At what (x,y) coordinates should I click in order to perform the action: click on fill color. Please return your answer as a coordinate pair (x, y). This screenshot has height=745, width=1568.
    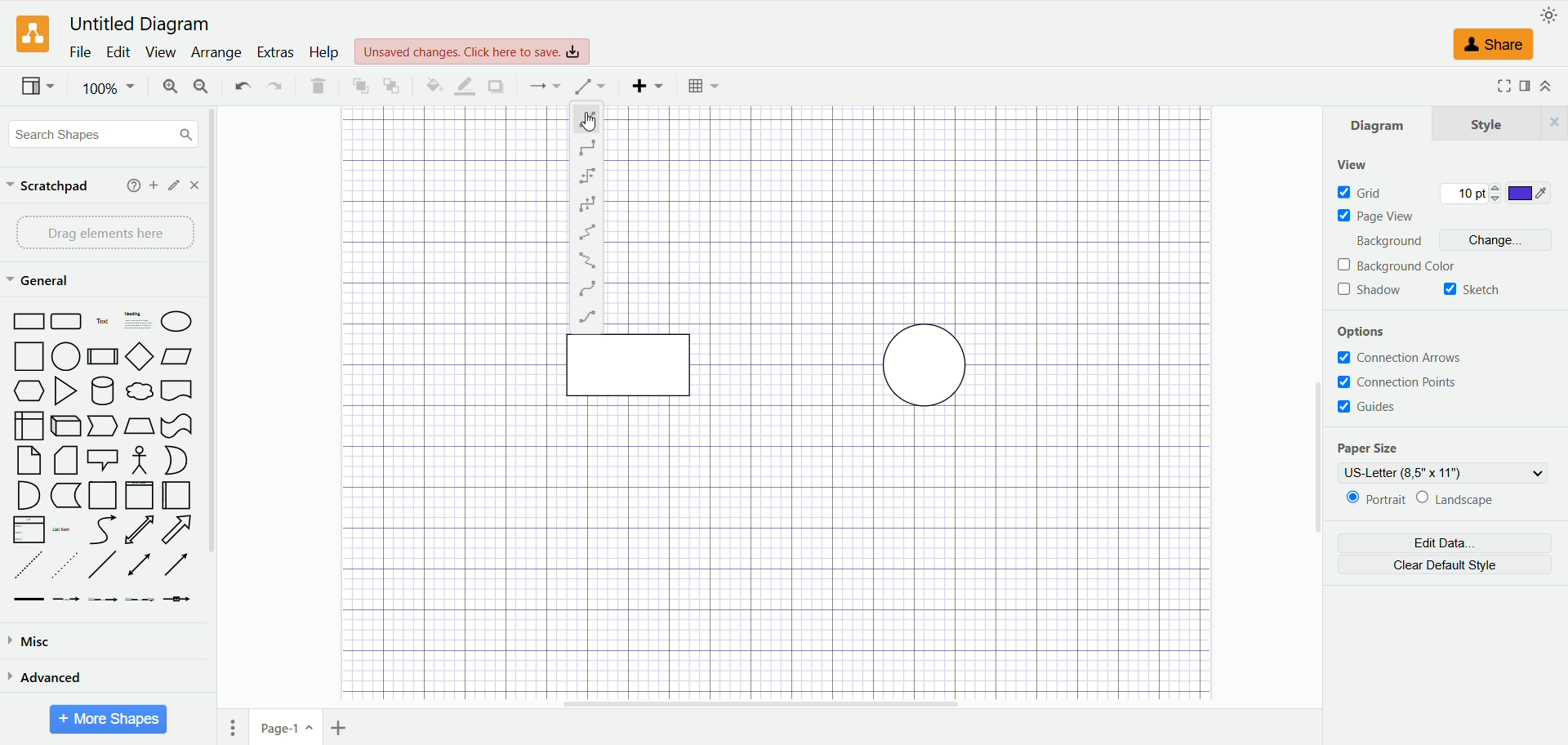
    Looking at the image, I should click on (431, 85).